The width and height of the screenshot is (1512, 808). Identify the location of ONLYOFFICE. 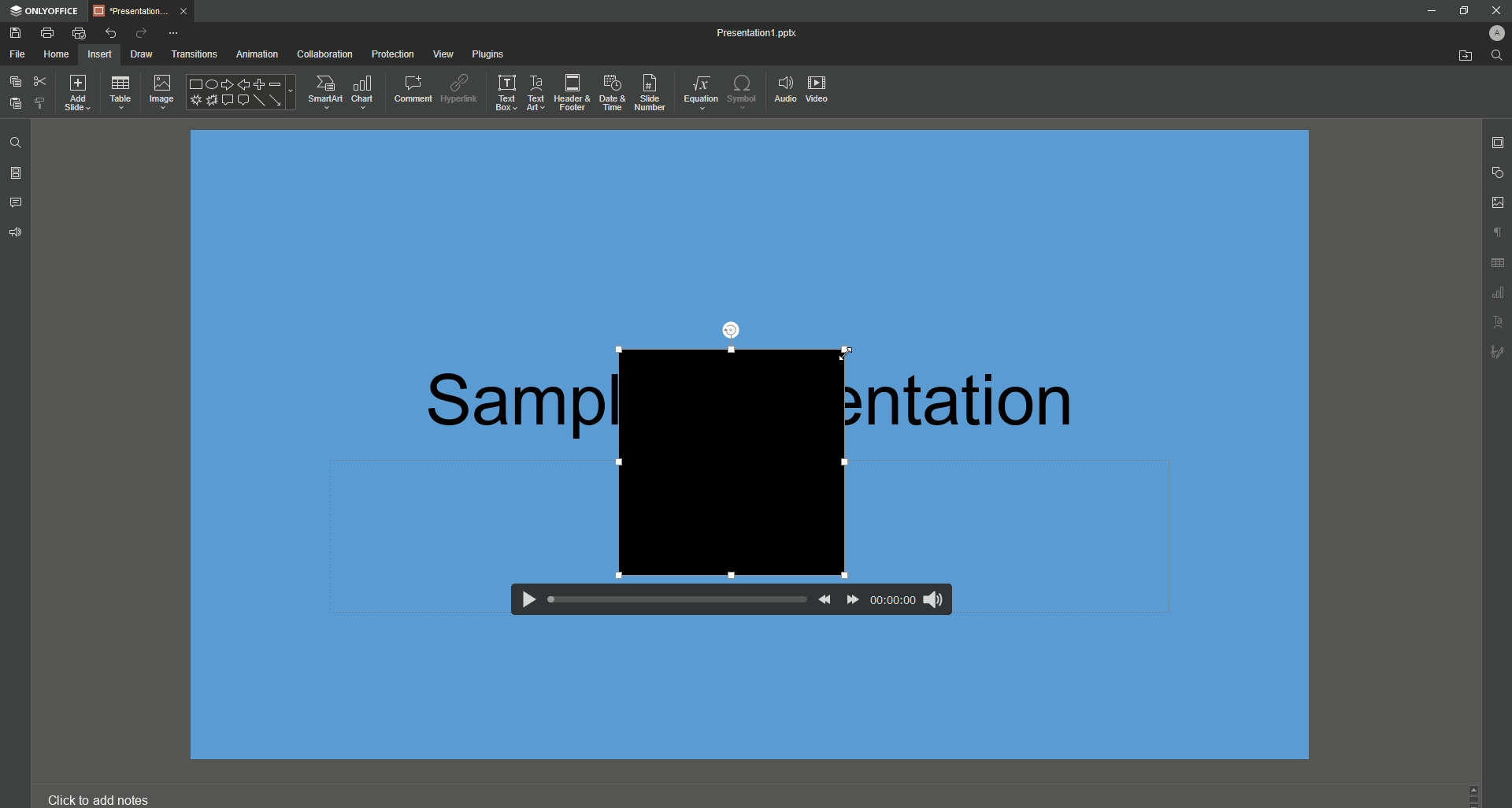
(46, 9).